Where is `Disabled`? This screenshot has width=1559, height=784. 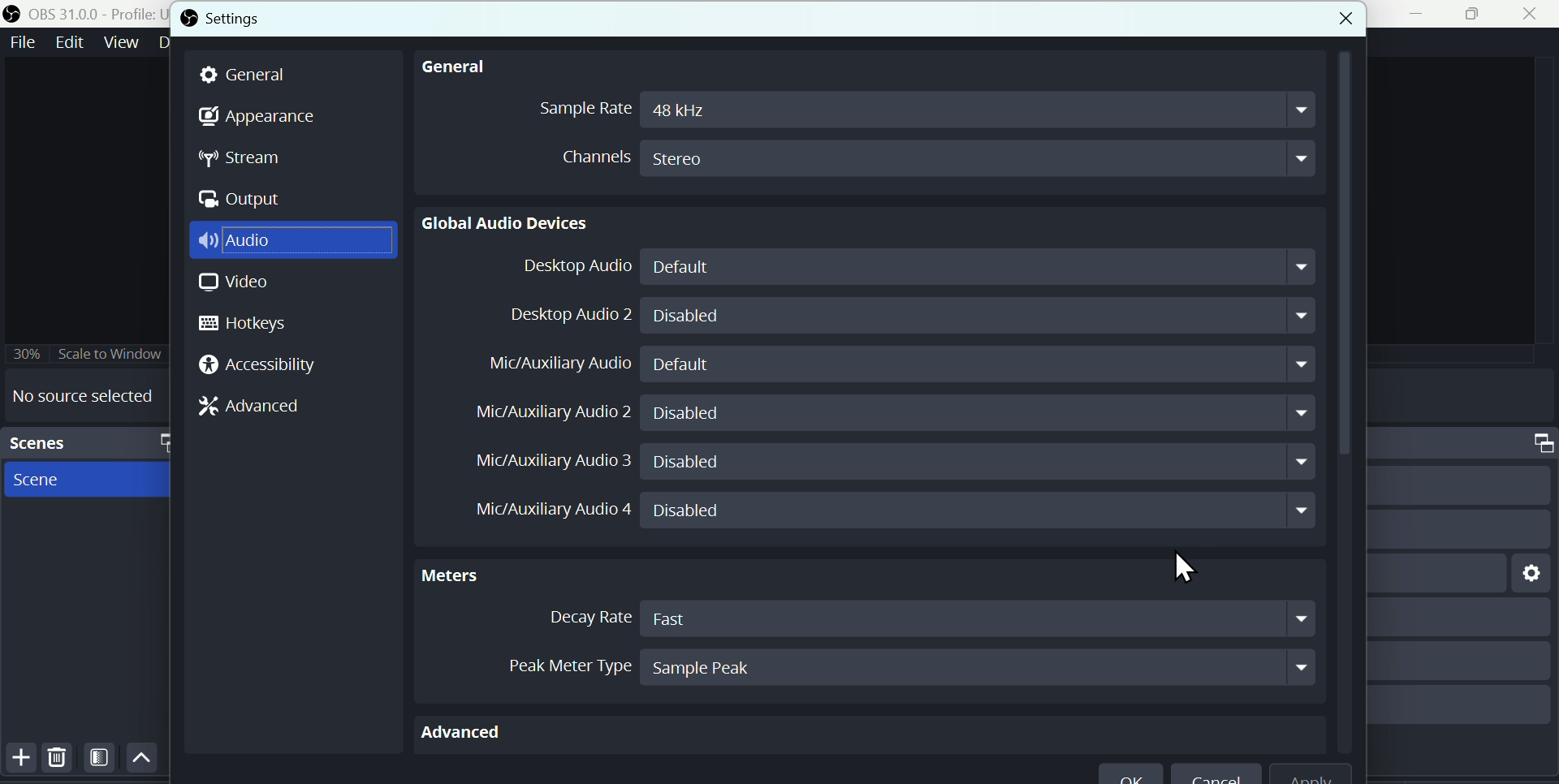 Disabled is located at coordinates (982, 461).